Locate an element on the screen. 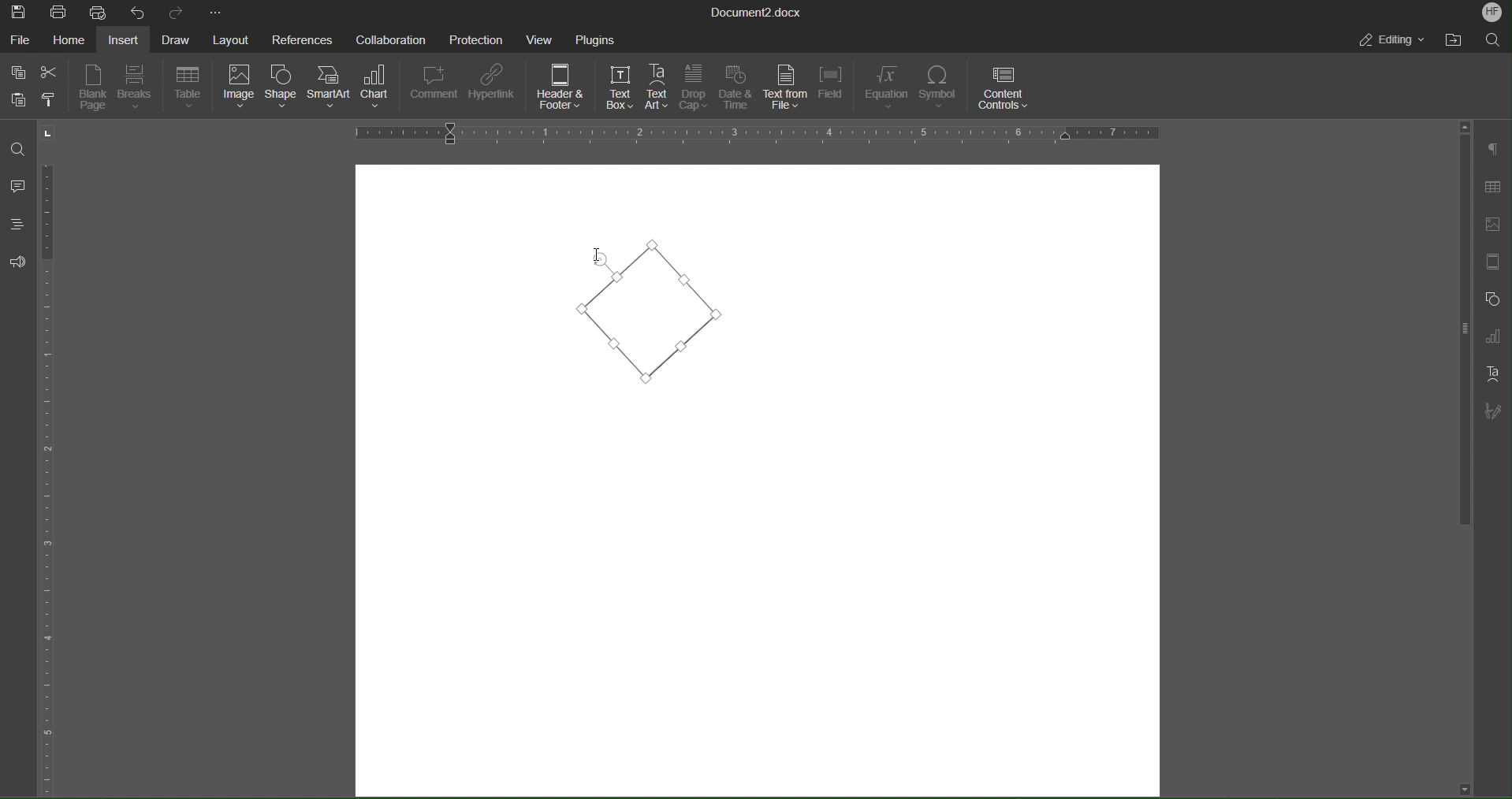  Field is located at coordinates (833, 88).